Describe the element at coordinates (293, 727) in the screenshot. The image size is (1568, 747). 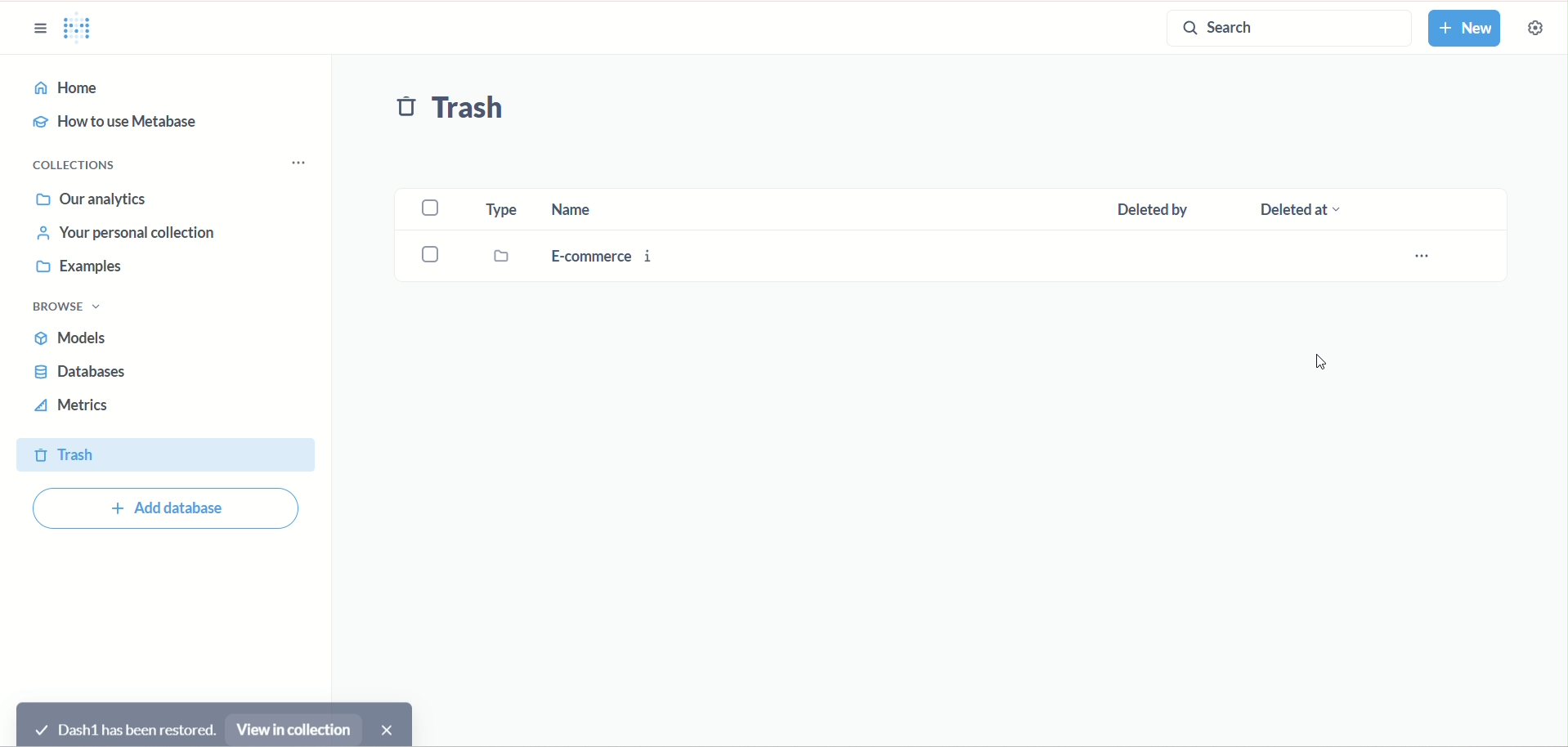
I see `view in collection` at that location.